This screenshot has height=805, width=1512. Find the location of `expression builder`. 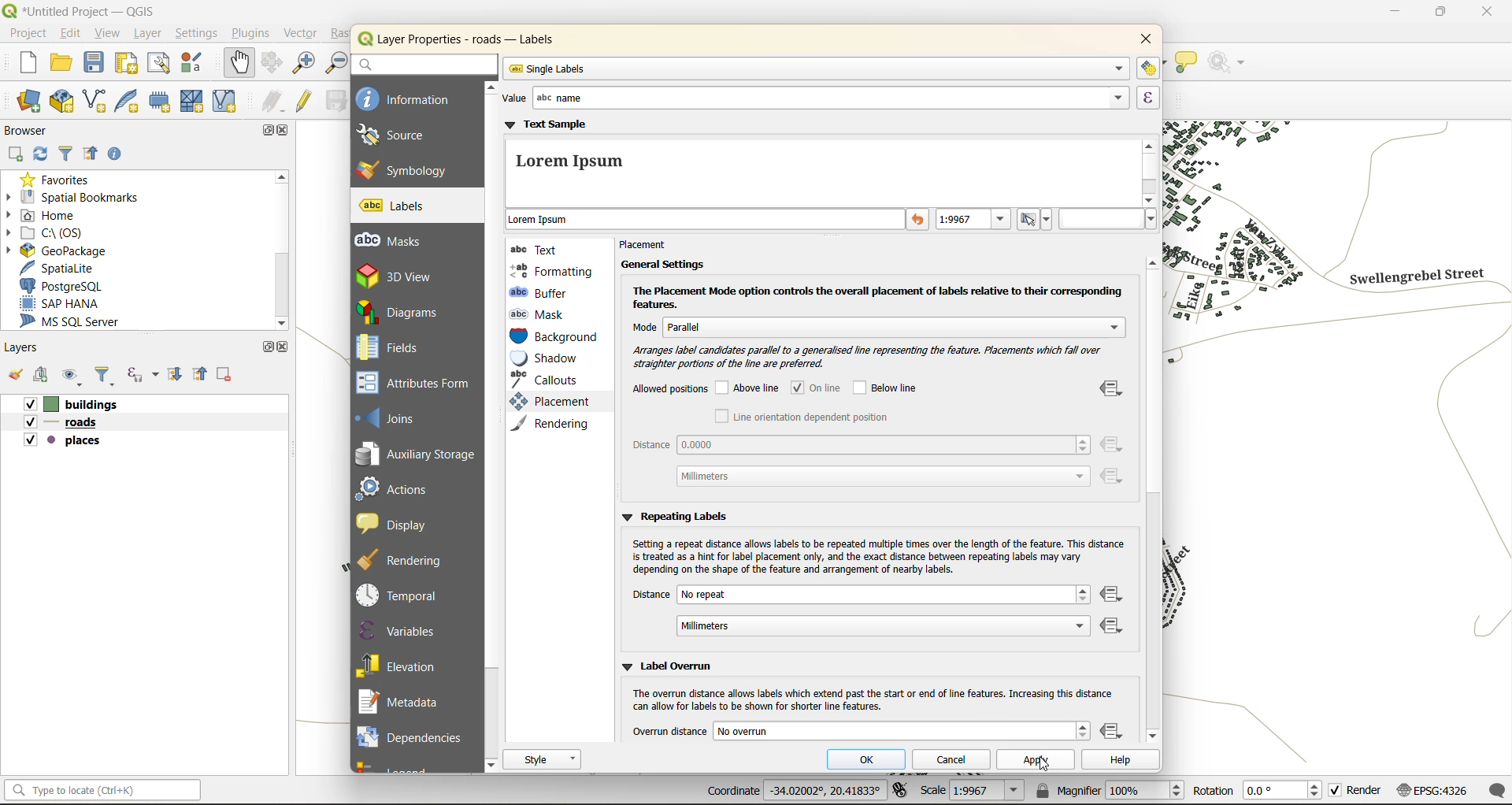

expression builder is located at coordinates (1148, 98).